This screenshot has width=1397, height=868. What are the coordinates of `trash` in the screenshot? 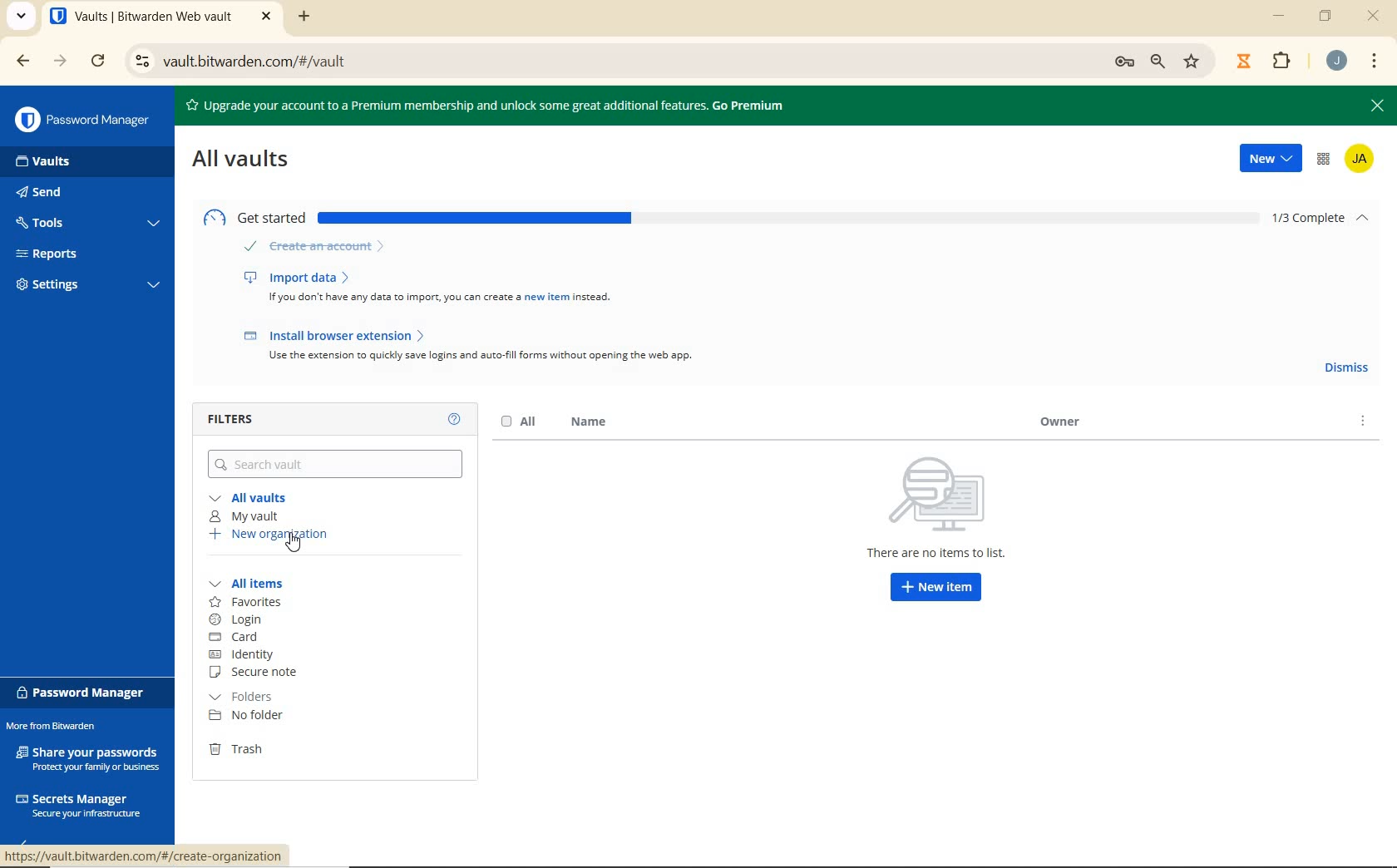 It's located at (245, 749).